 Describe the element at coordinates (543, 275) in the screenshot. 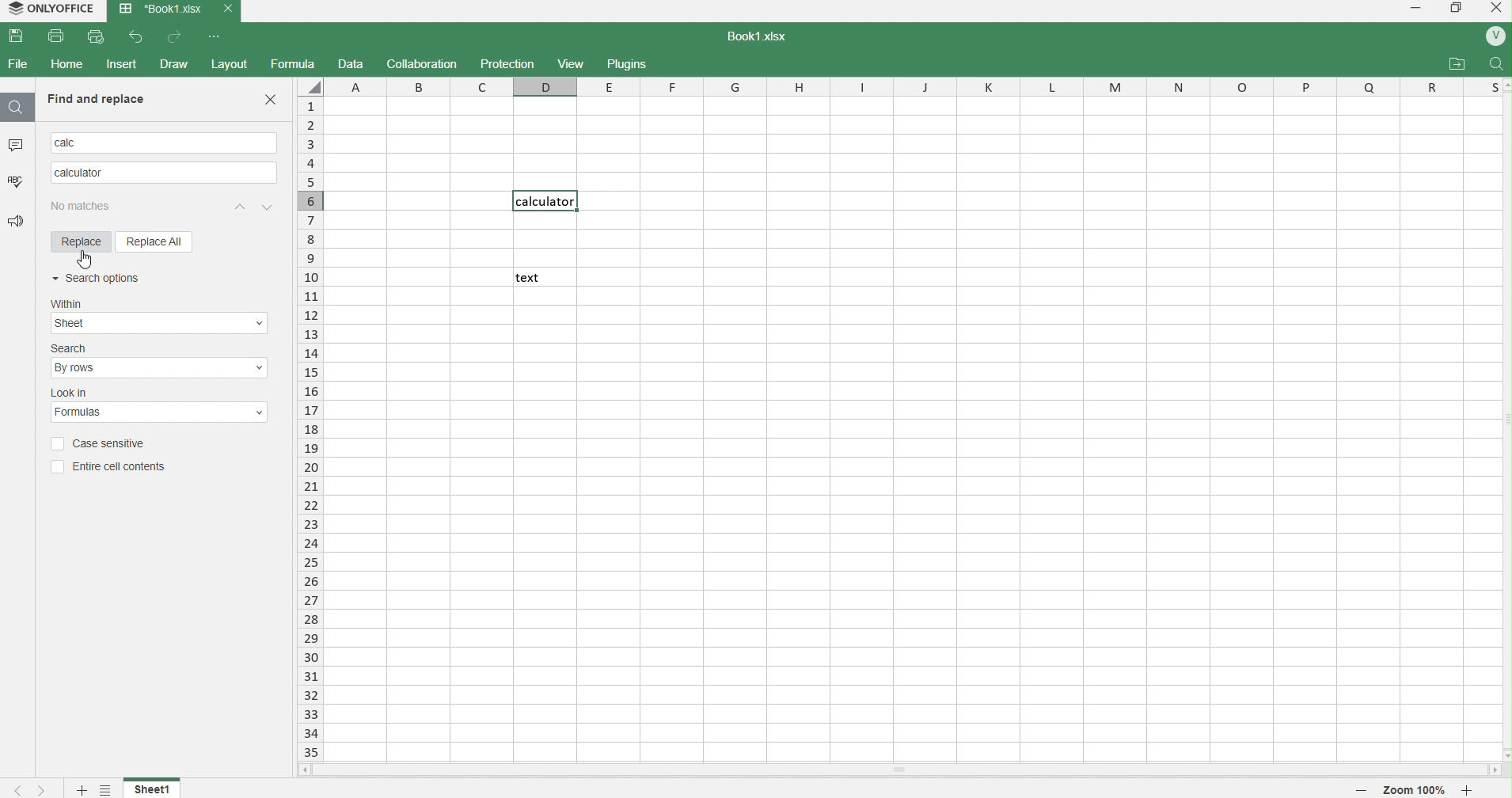

I see `text` at that location.